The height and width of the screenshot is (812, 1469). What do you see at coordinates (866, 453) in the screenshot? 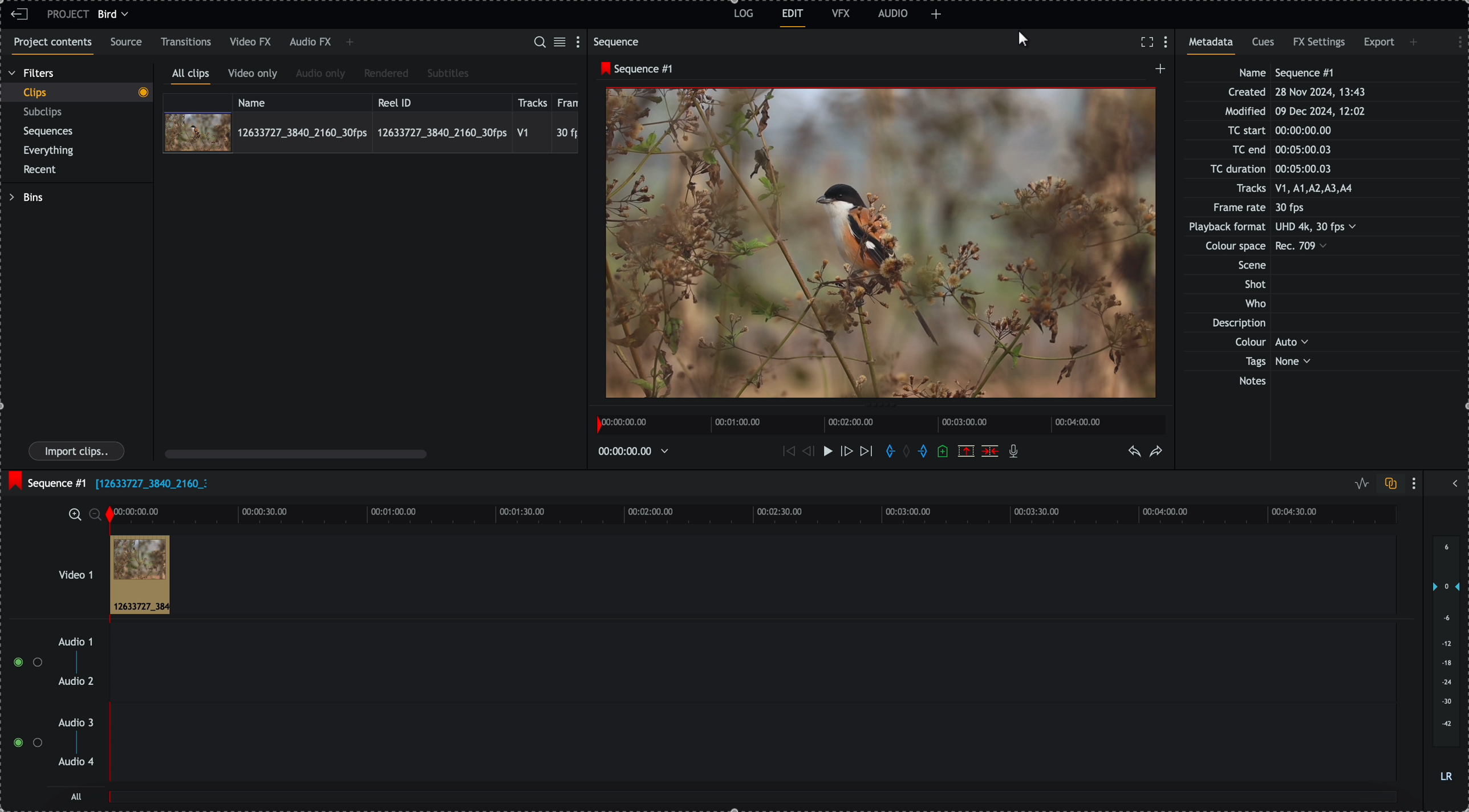
I see `move foward` at bounding box center [866, 453].